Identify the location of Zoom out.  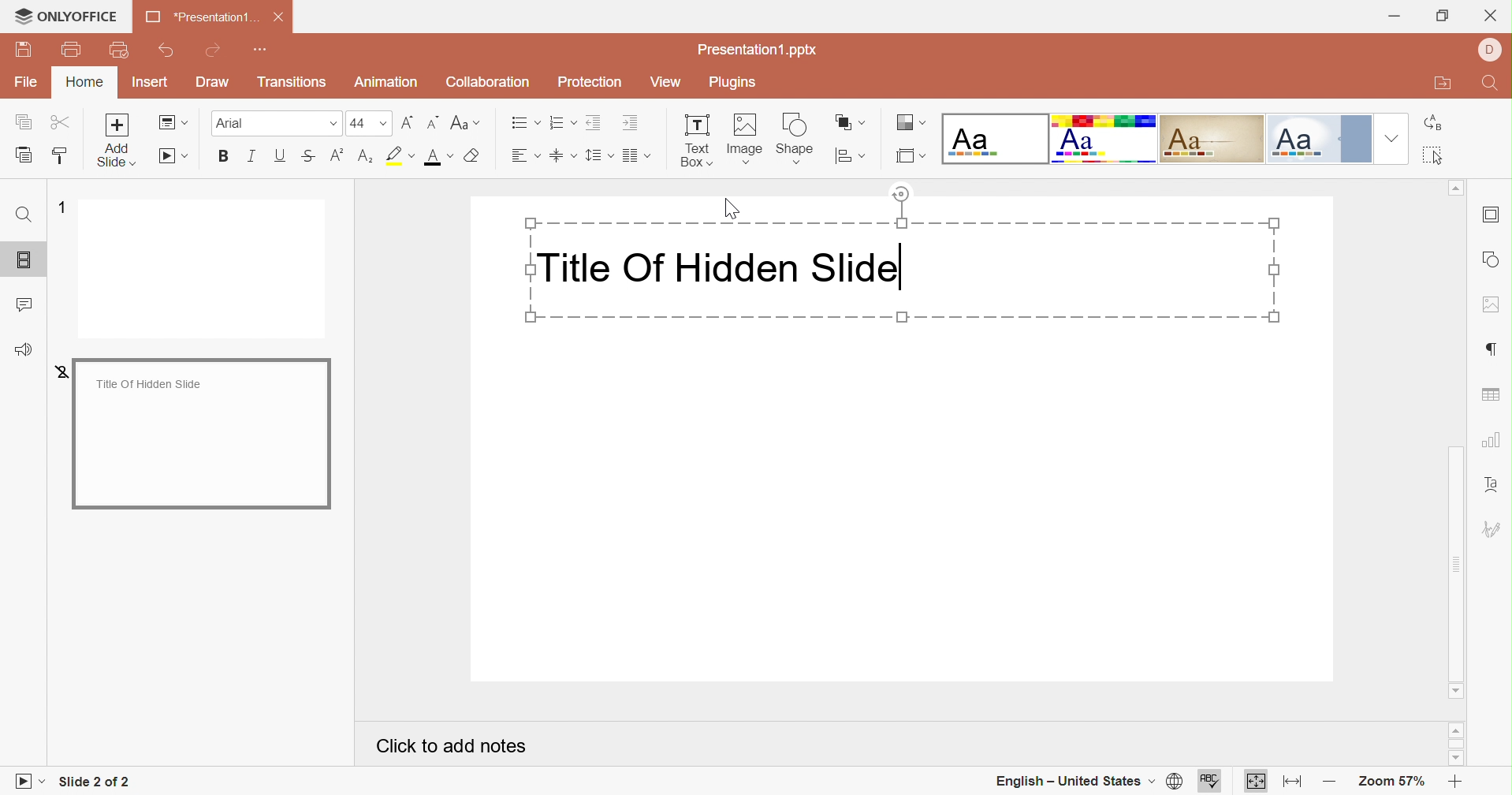
(1329, 785).